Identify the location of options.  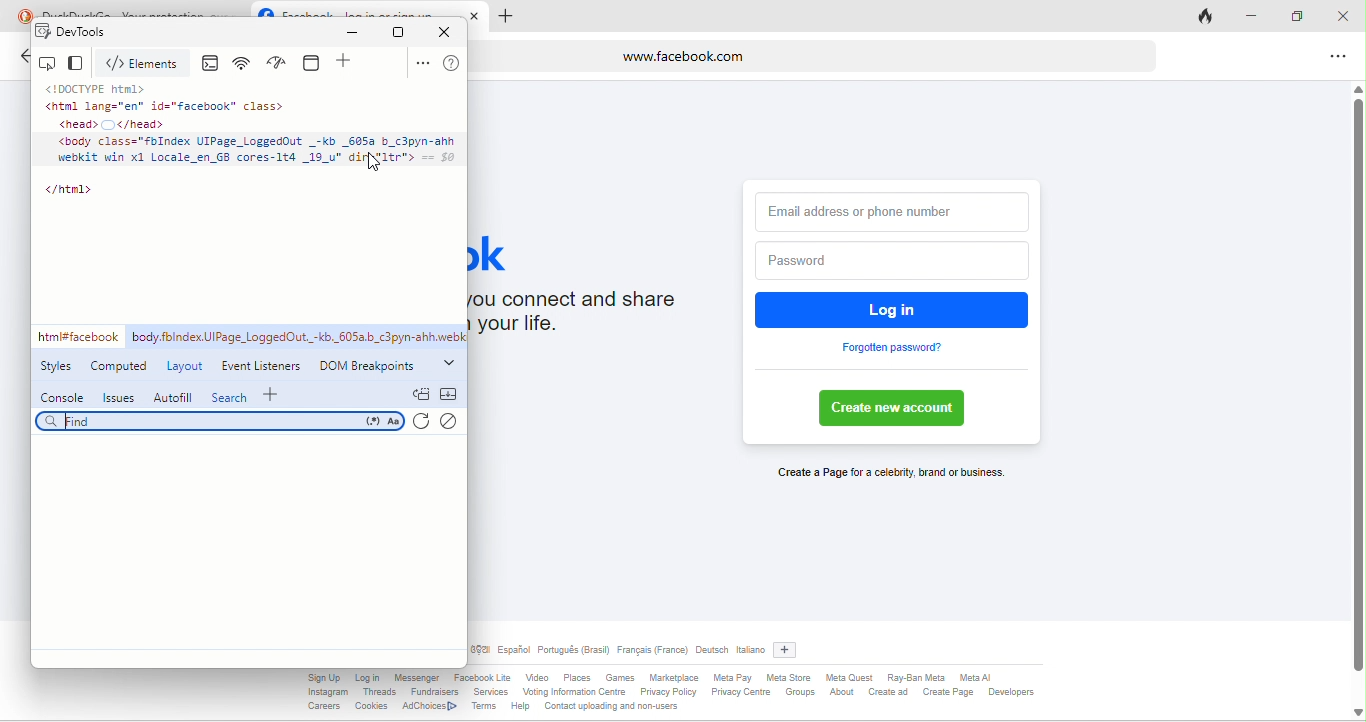
(1334, 58).